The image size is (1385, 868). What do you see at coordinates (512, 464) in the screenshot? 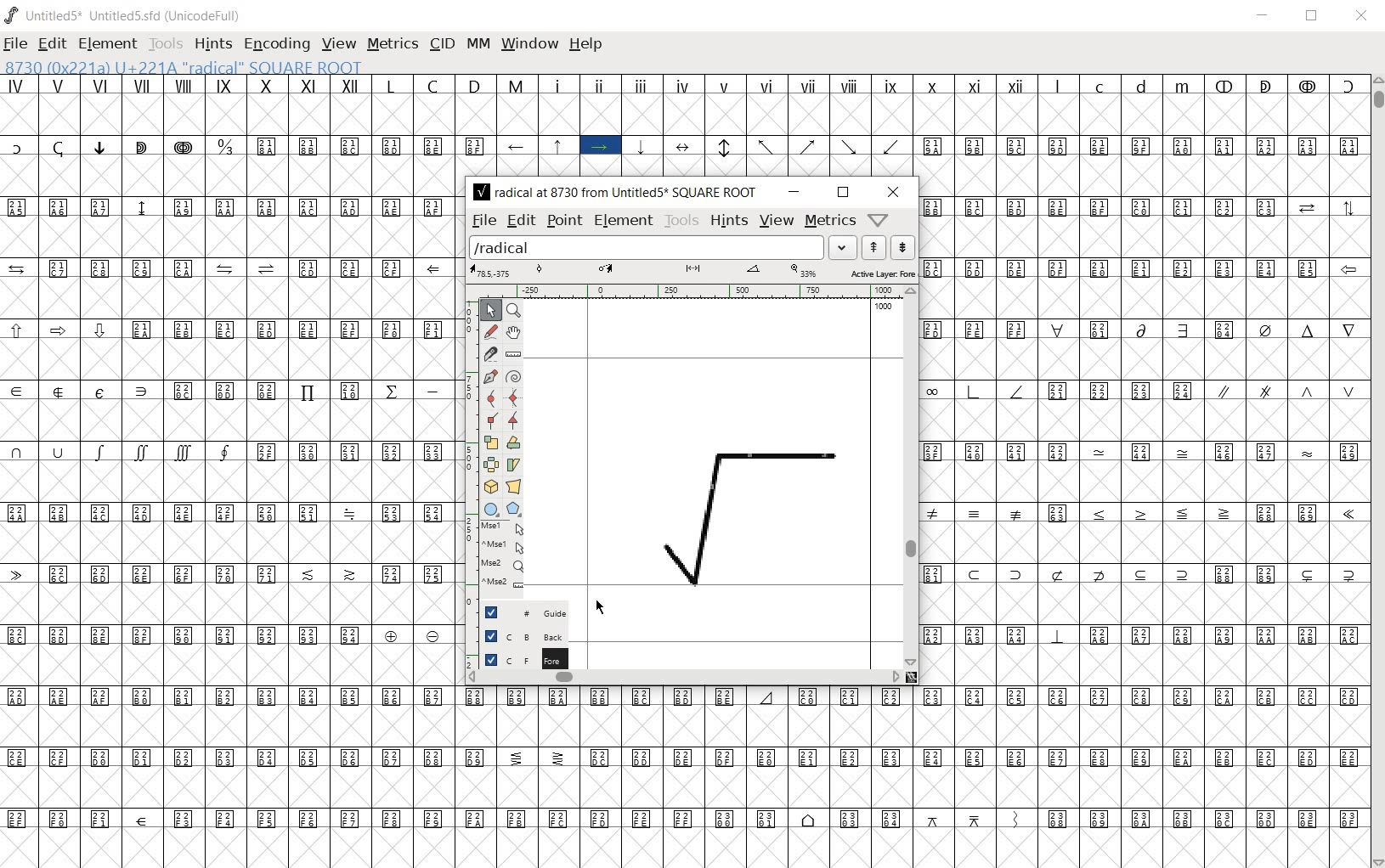
I see `Rotate the selection` at bounding box center [512, 464].